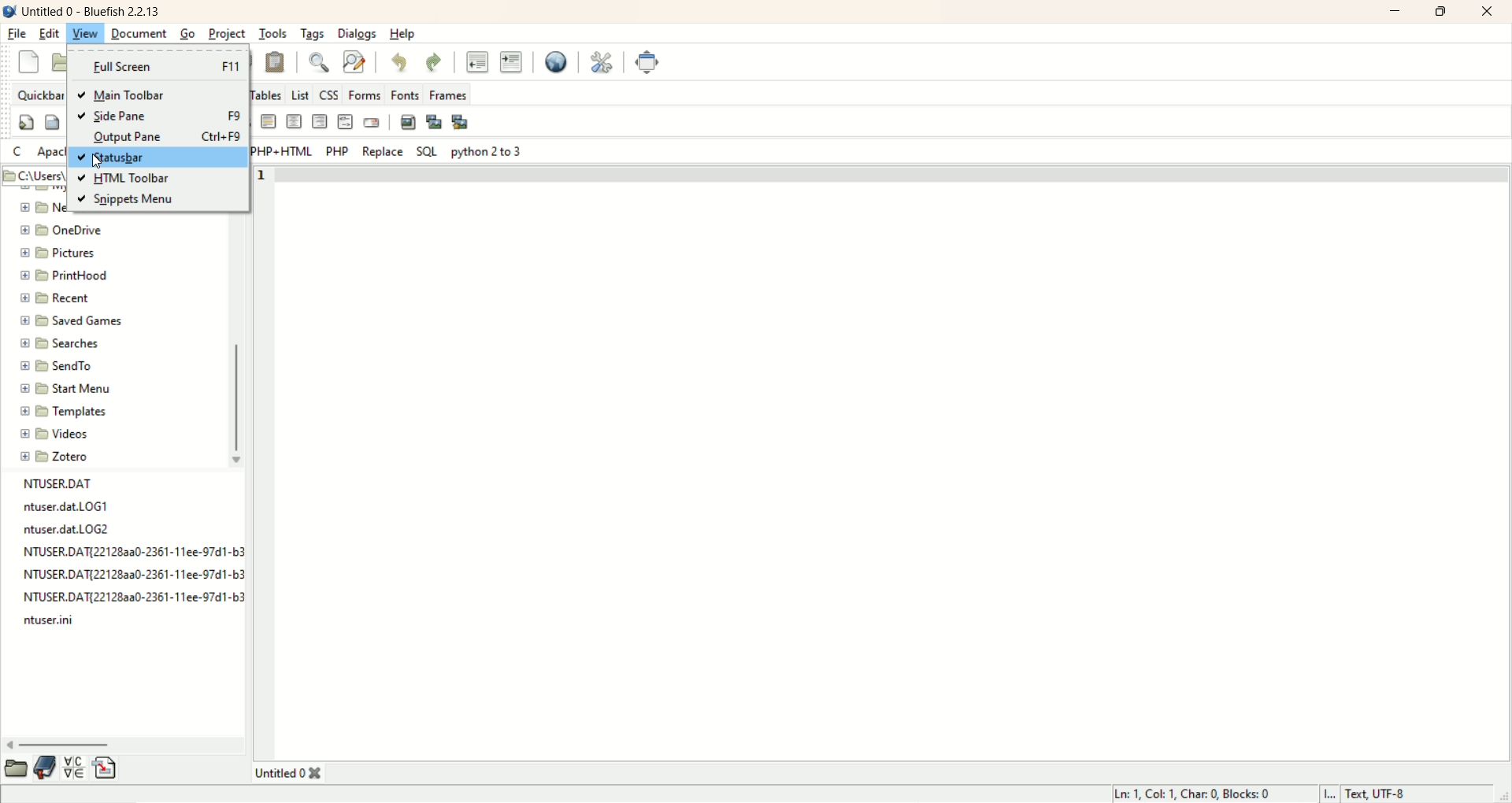  What do you see at coordinates (128, 598) in the screenshot?
I see `file` at bounding box center [128, 598].